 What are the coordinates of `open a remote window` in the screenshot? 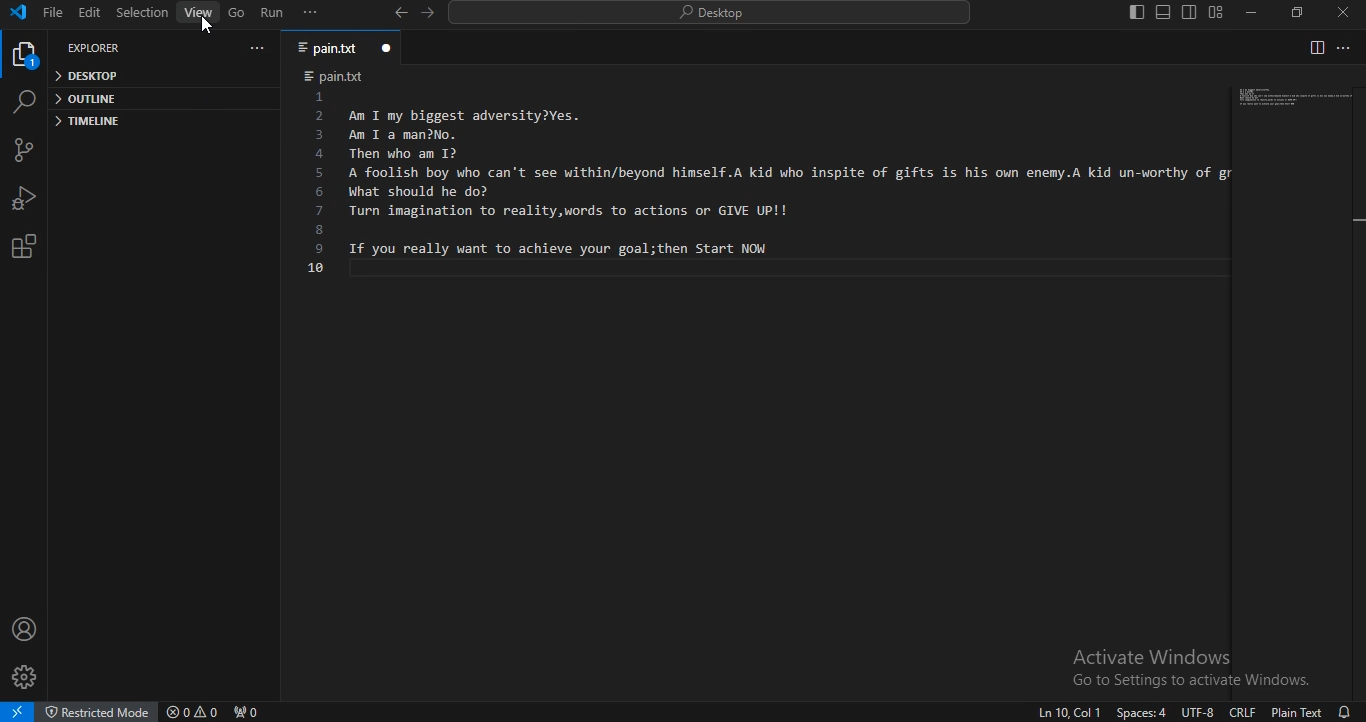 It's located at (17, 713).